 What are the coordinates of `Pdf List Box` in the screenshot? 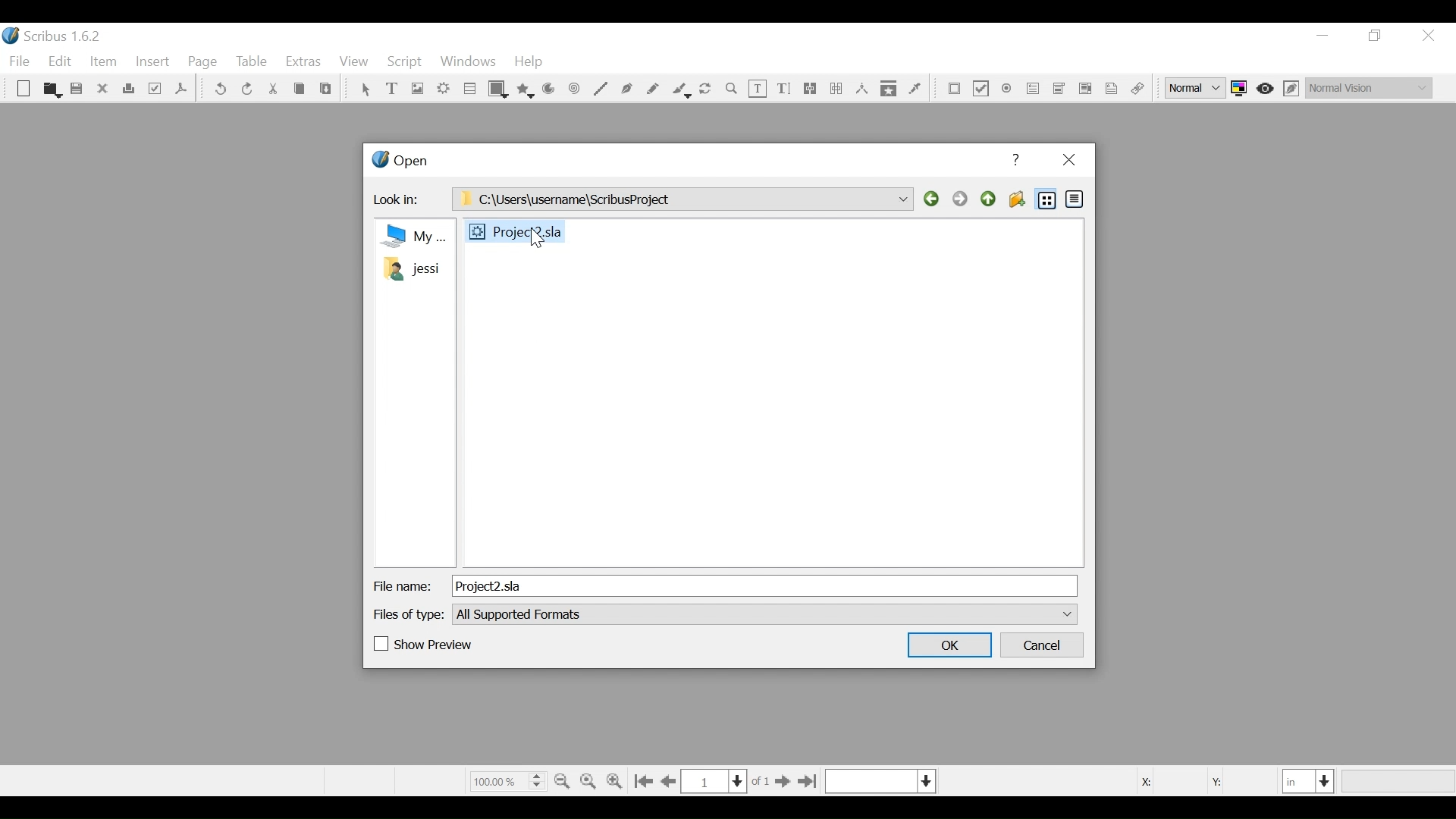 It's located at (1086, 88).